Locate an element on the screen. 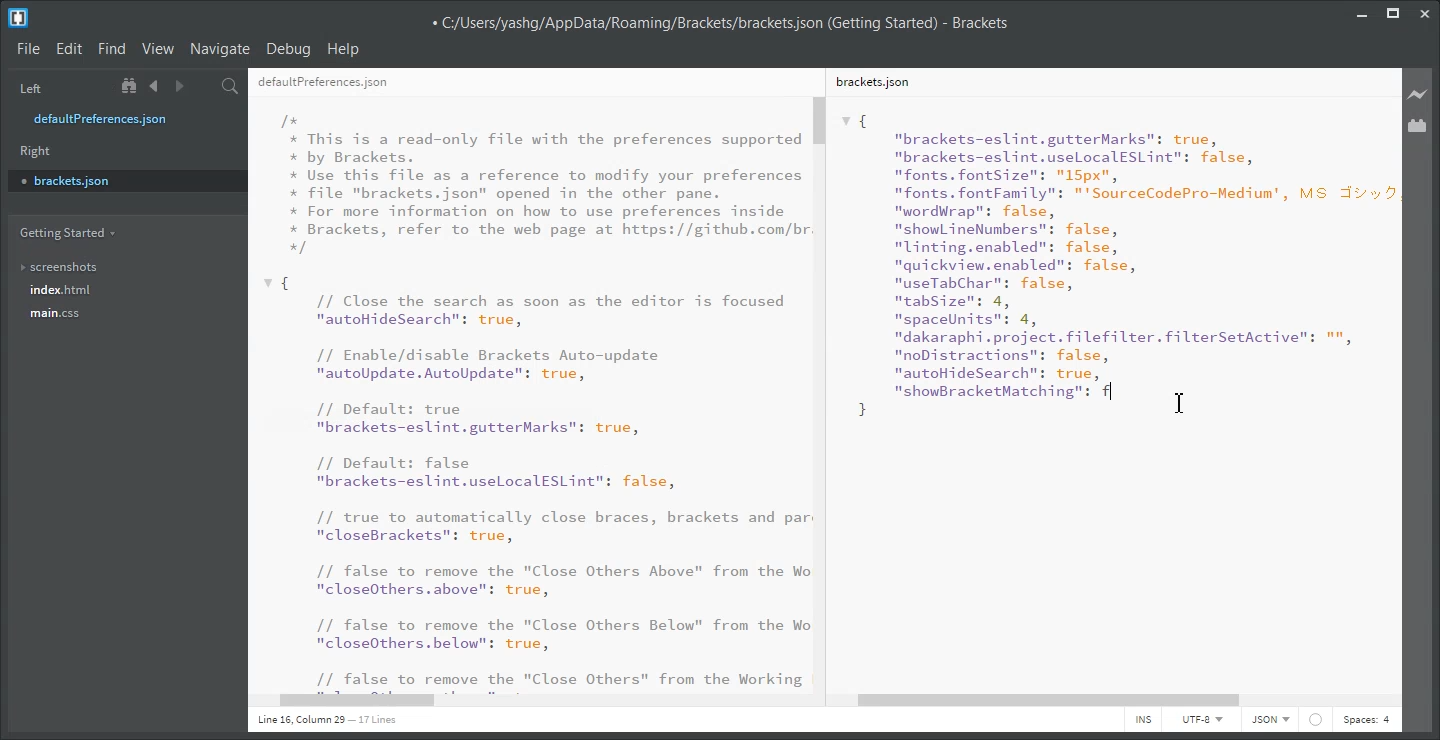 This screenshot has width=1440, height=740. Help is located at coordinates (345, 49).